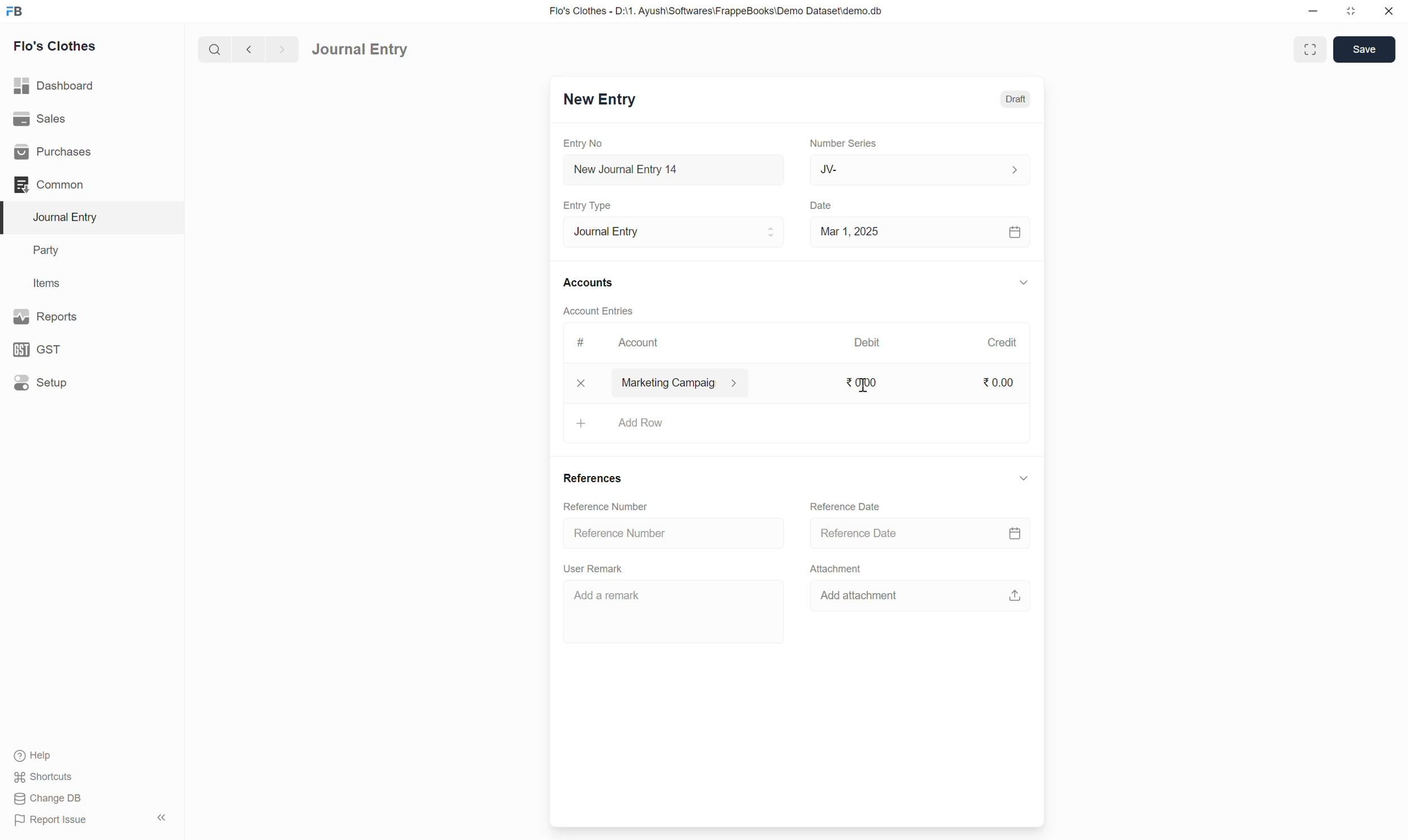 The image size is (1408, 840). What do you see at coordinates (867, 341) in the screenshot?
I see `Debit` at bounding box center [867, 341].